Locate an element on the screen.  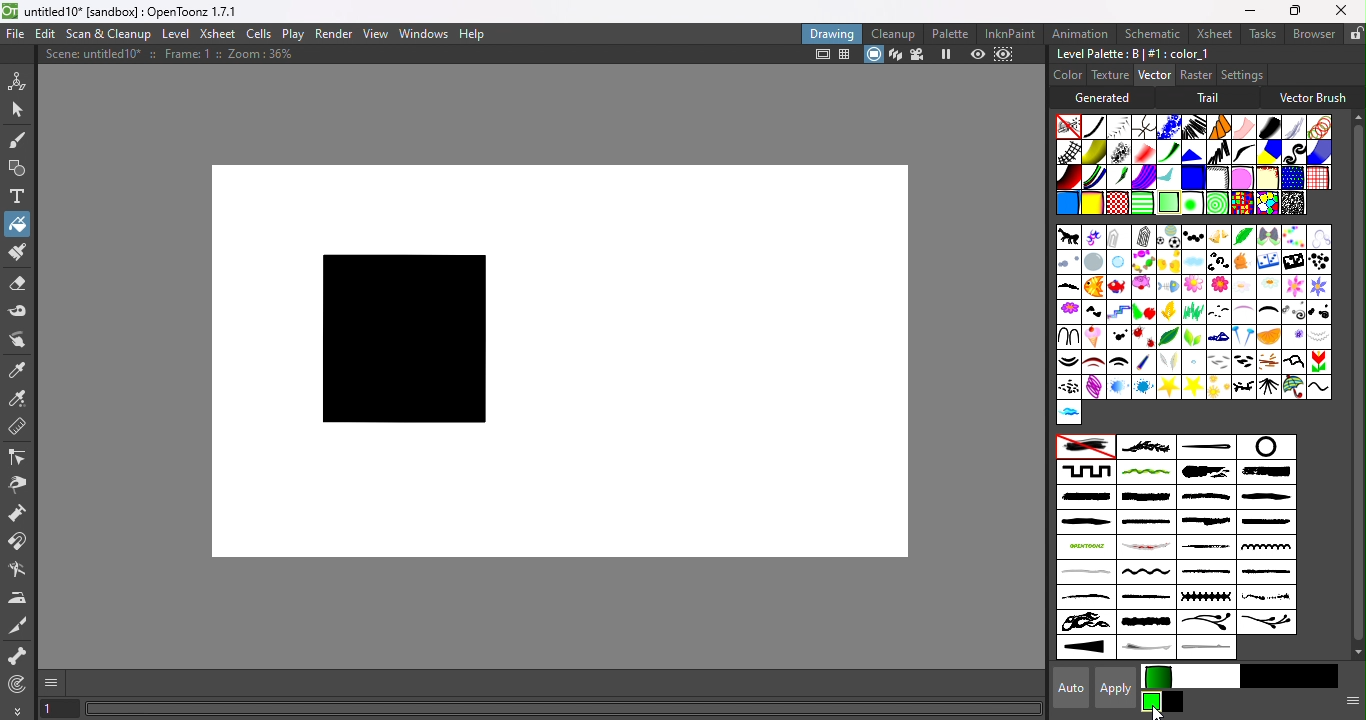
Shade is located at coordinates (1068, 177).